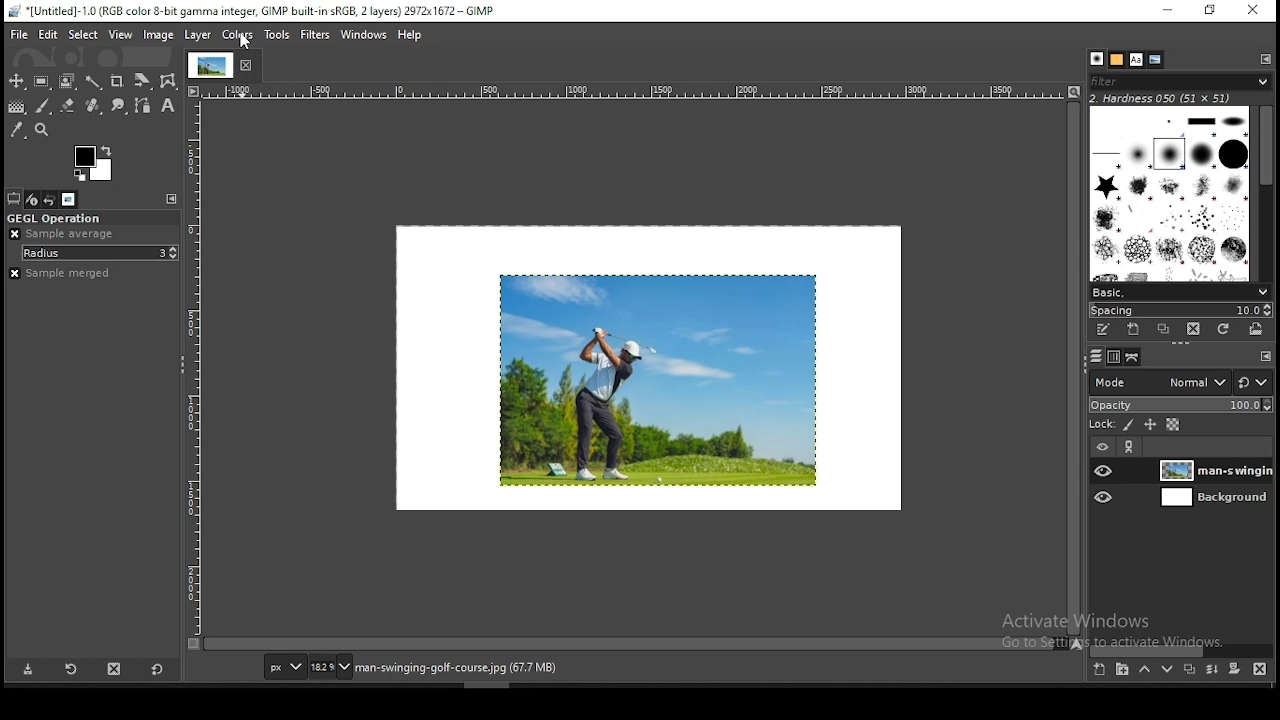 The image size is (1280, 720). I want to click on sample merged, so click(63, 273).